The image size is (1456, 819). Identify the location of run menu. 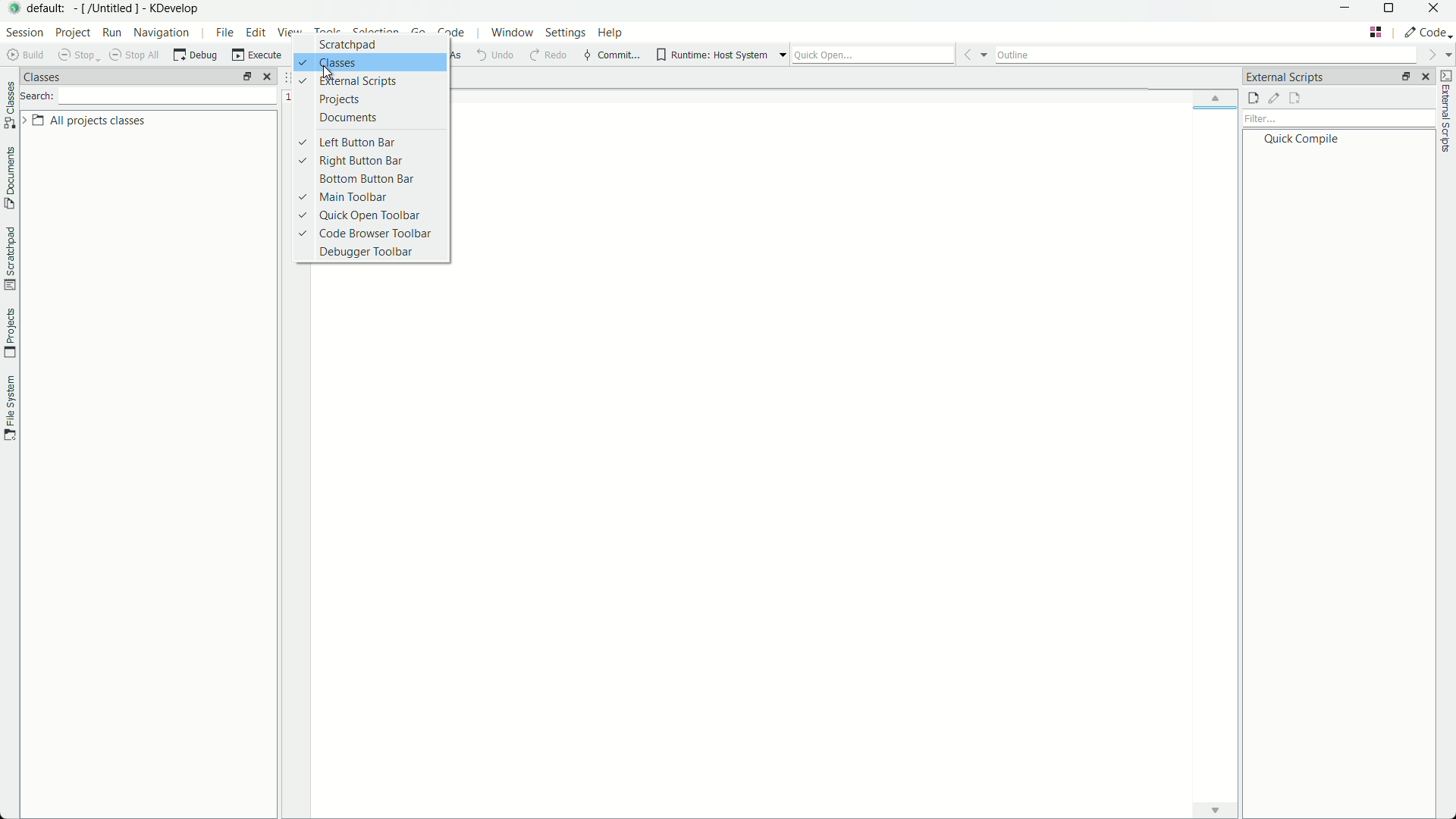
(109, 31).